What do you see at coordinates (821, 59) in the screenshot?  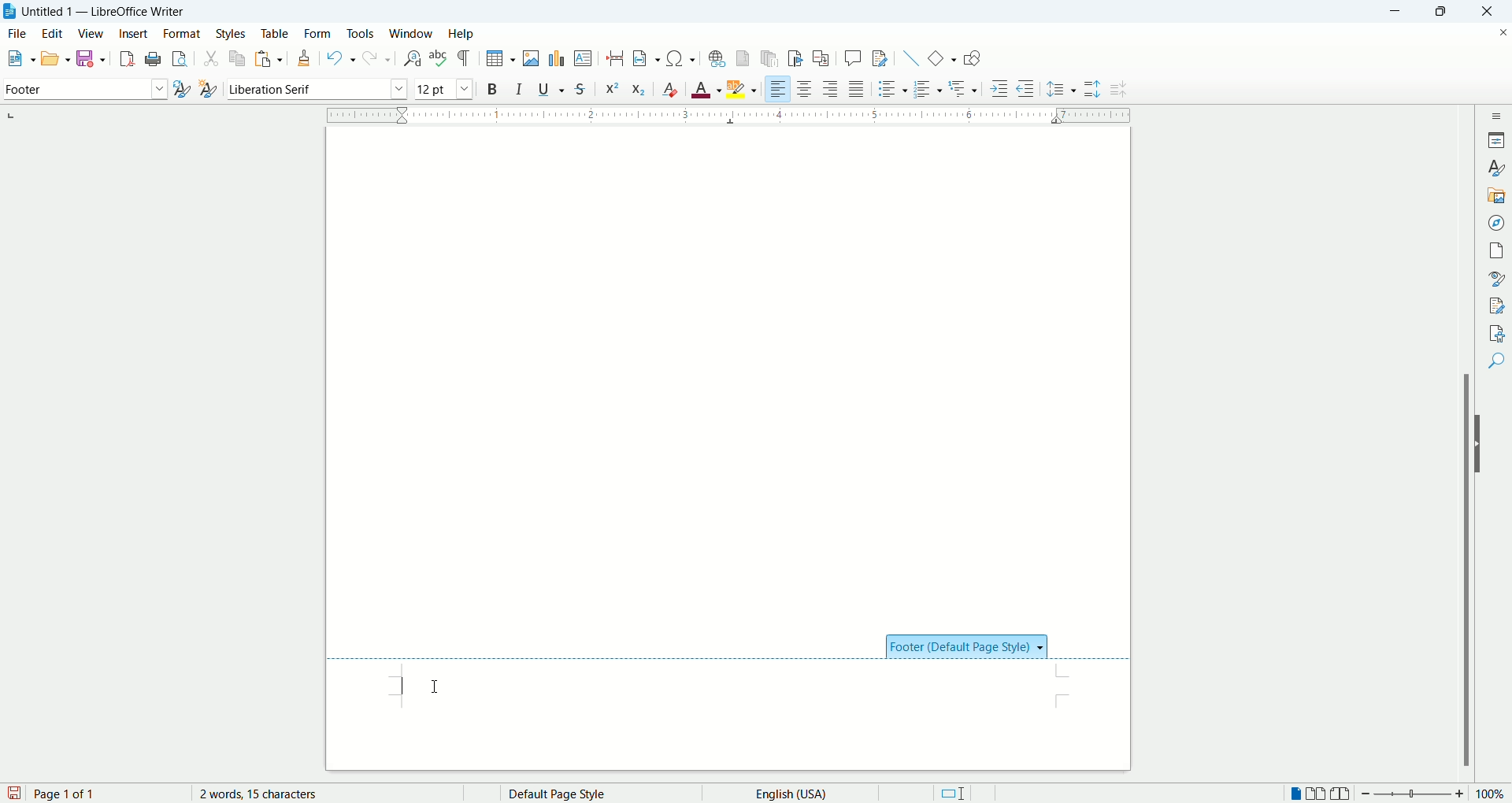 I see `insert cross references` at bounding box center [821, 59].